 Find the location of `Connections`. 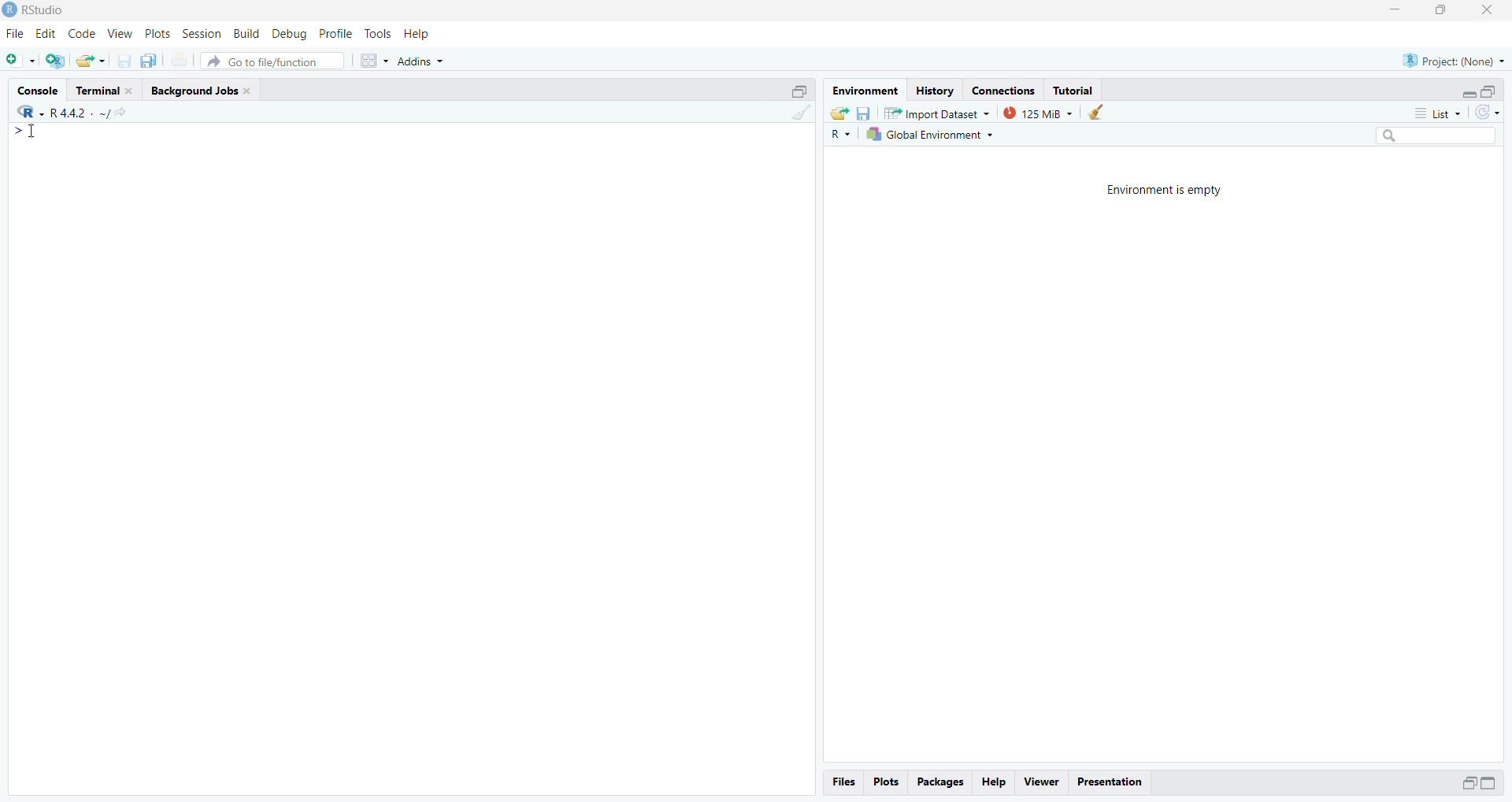

Connections is located at coordinates (1004, 89).